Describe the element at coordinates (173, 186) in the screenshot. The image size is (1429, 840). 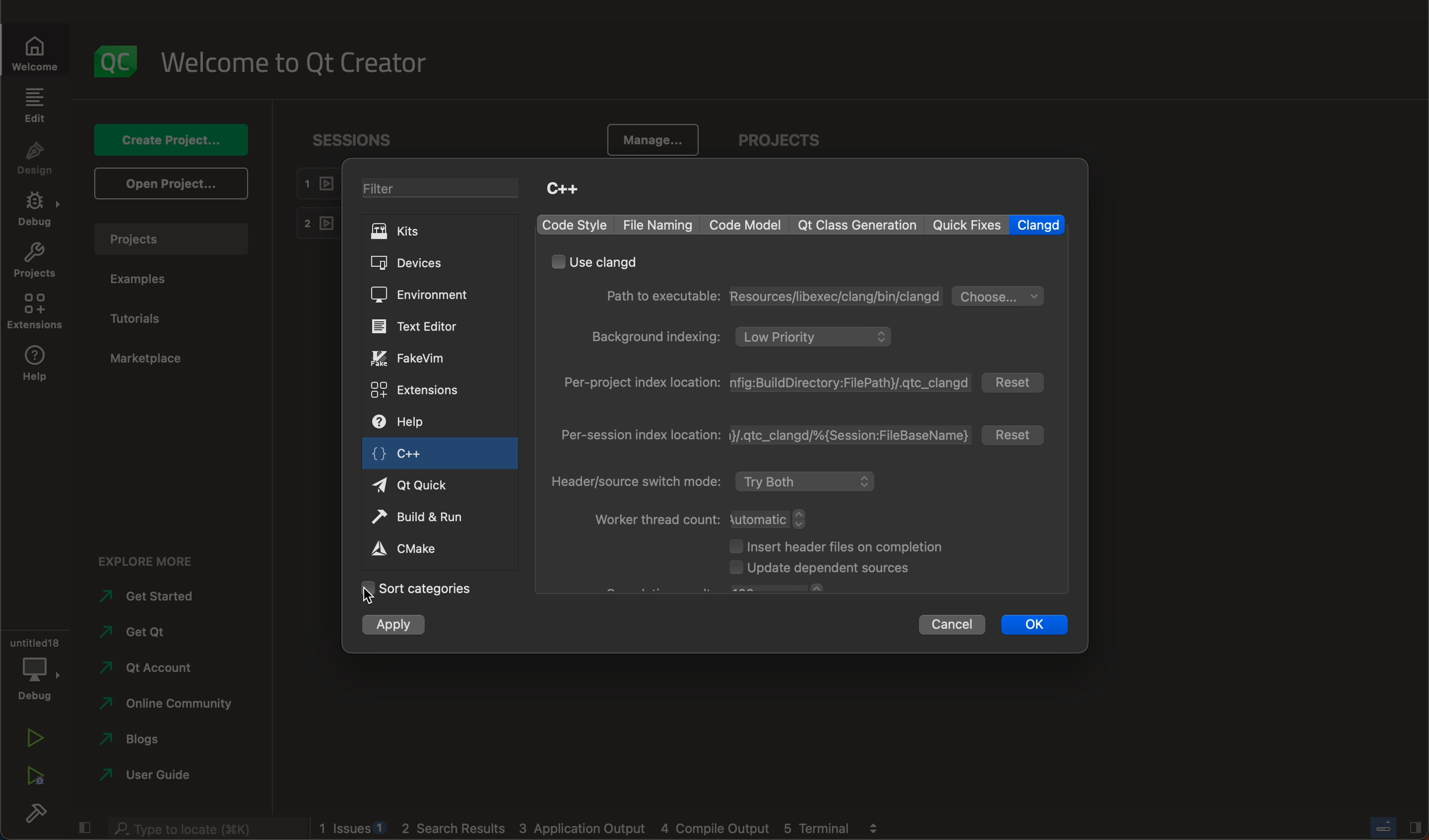
I see `open` at that location.